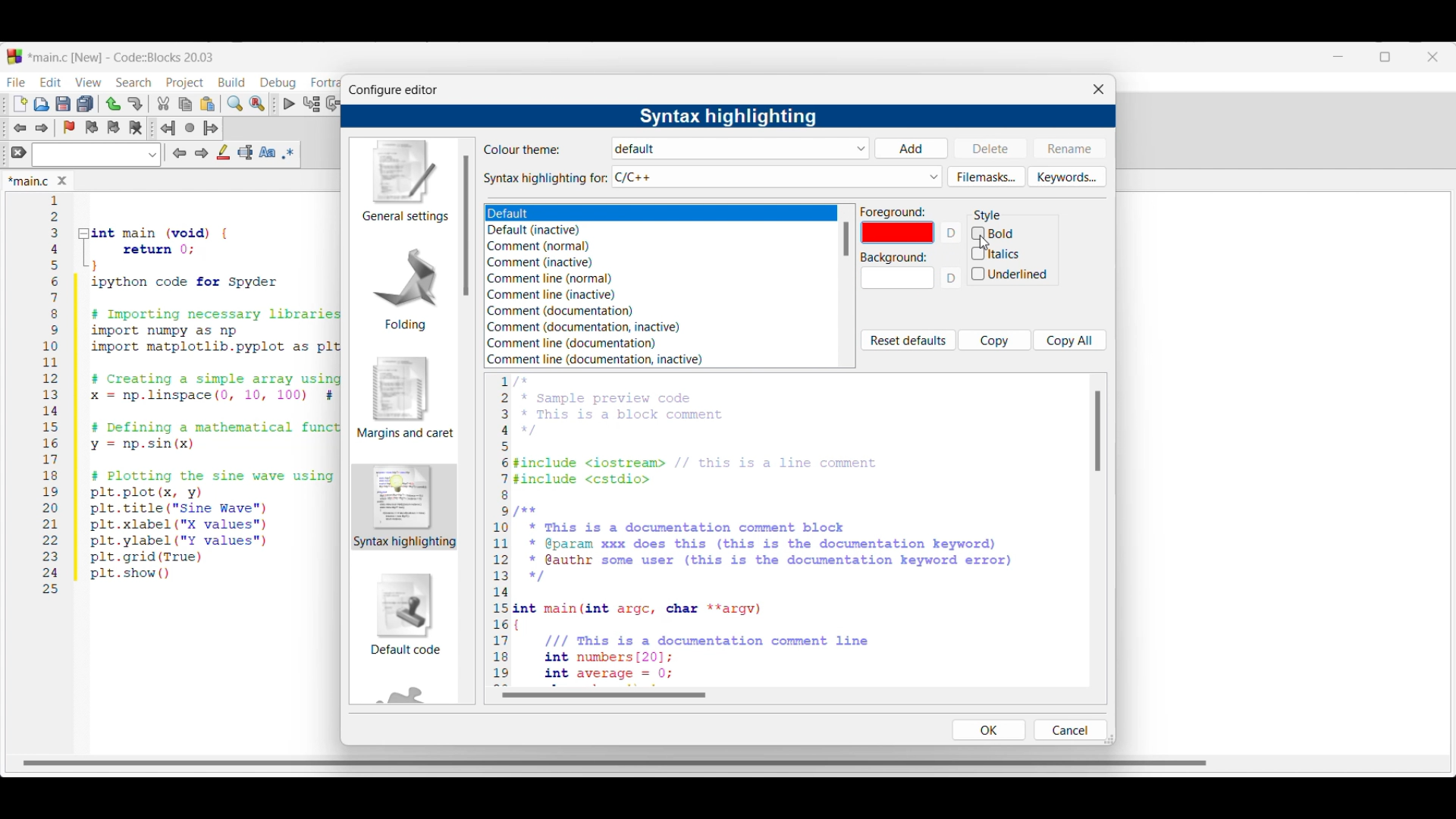 The height and width of the screenshot is (819, 1456). What do you see at coordinates (52, 82) in the screenshot?
I see `Edit menu` at bounding box center [52, 82].